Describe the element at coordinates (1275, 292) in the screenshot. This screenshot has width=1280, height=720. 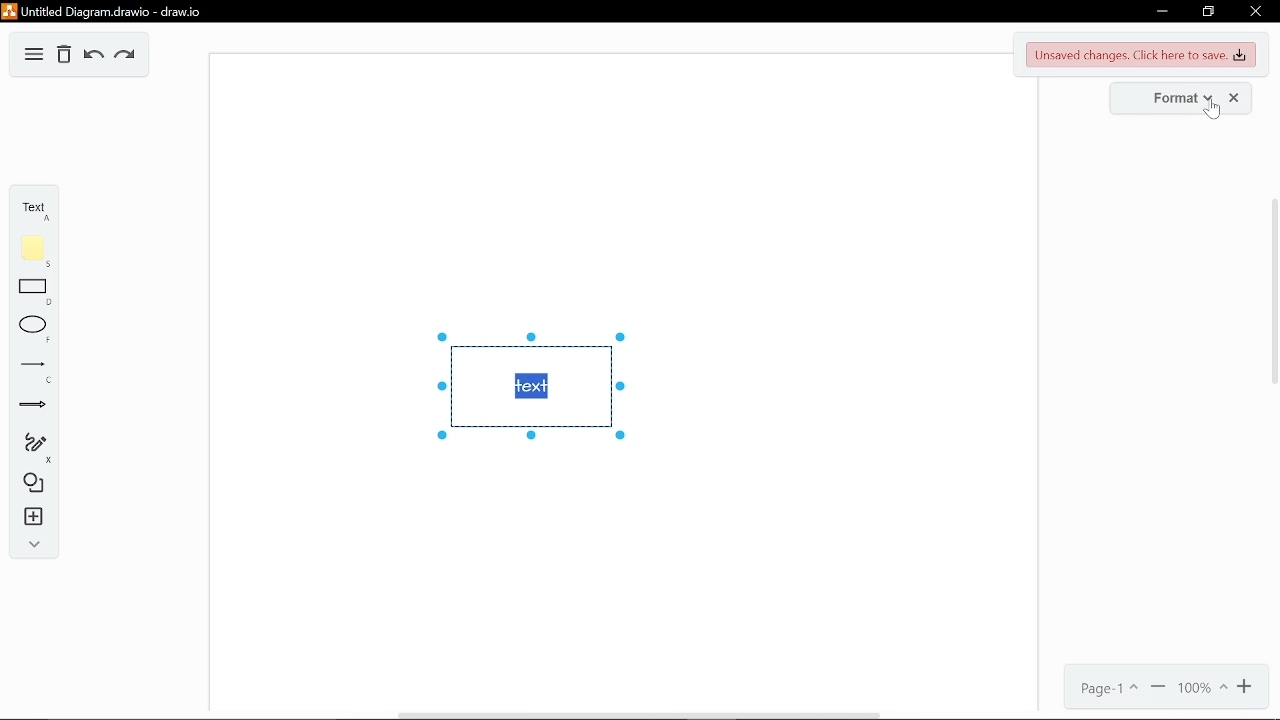
I see `vertical scrollbar` at that location.